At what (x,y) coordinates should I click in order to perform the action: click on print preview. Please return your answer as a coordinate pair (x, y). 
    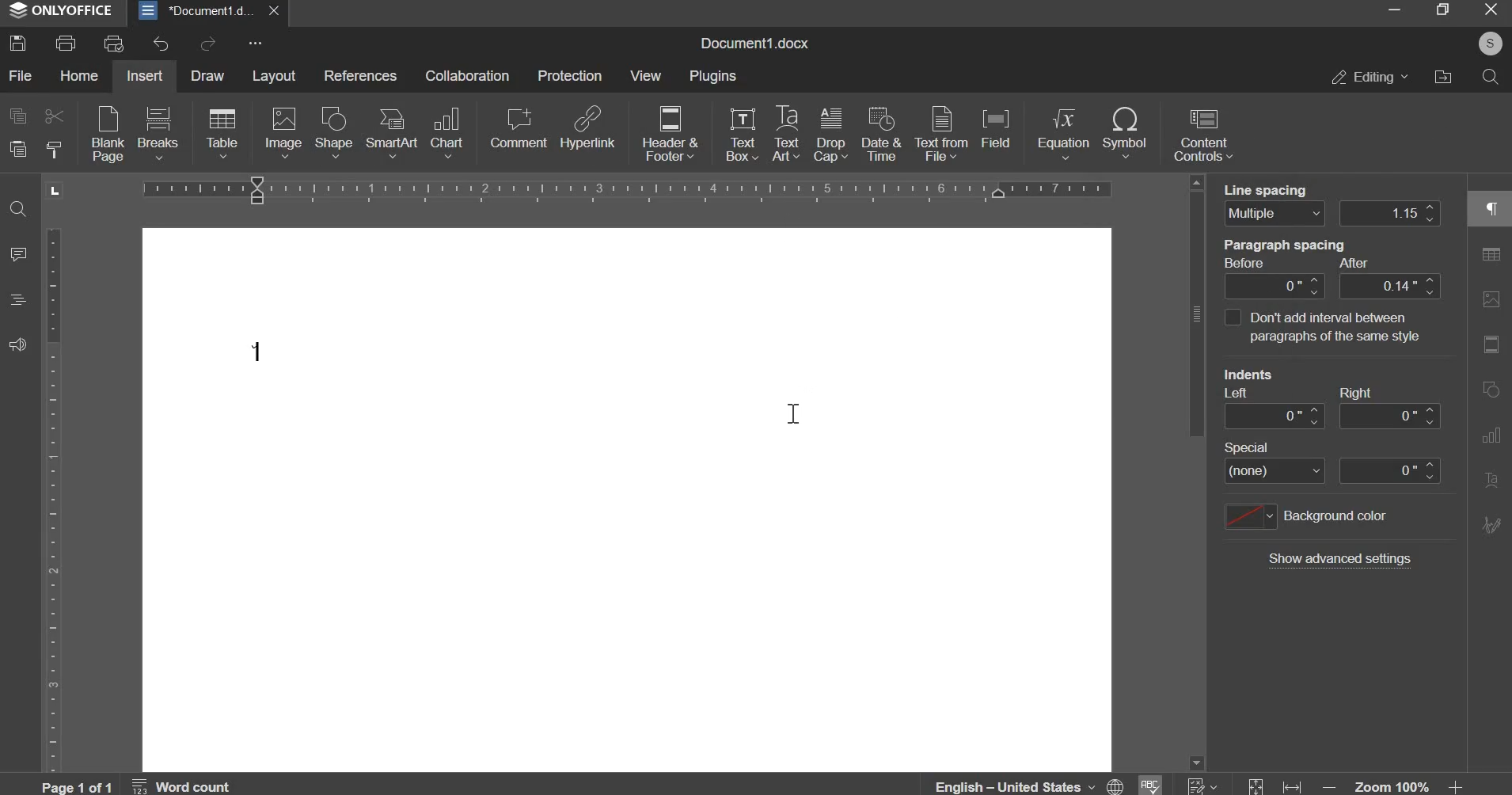
    Looking at the image, I should click on (116, 43).